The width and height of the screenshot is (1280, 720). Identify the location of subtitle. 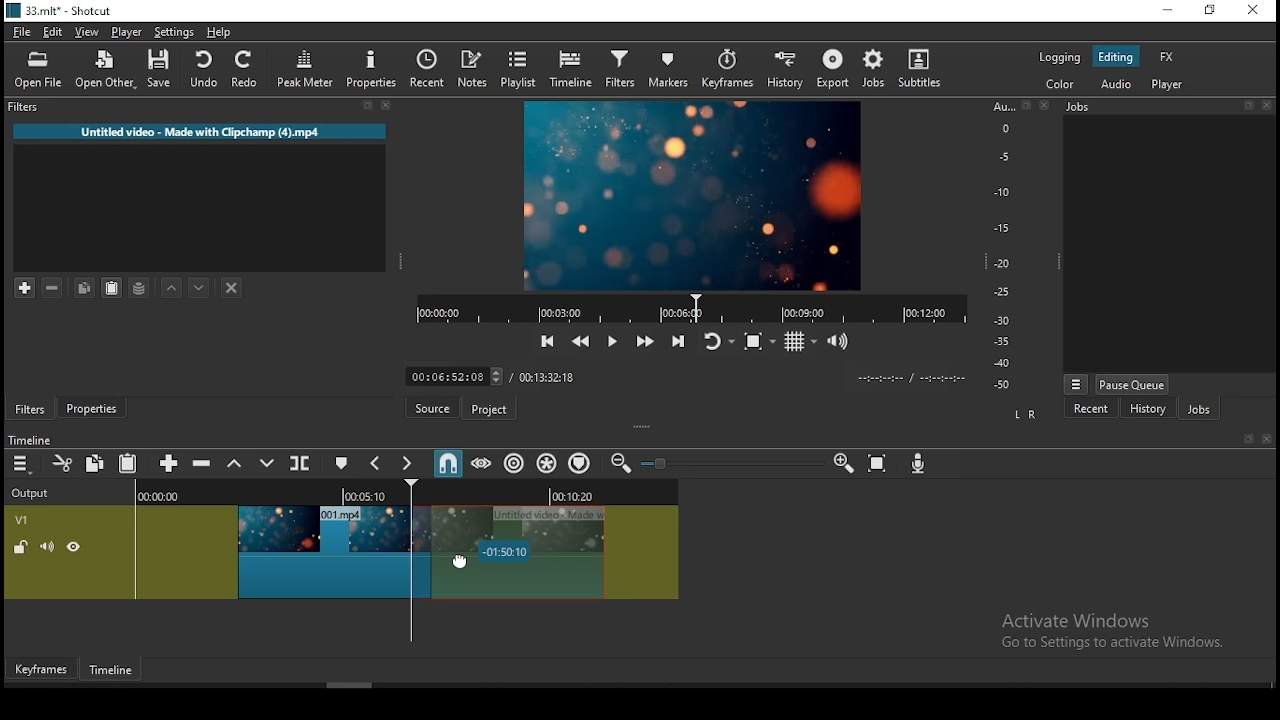
(919, 70).